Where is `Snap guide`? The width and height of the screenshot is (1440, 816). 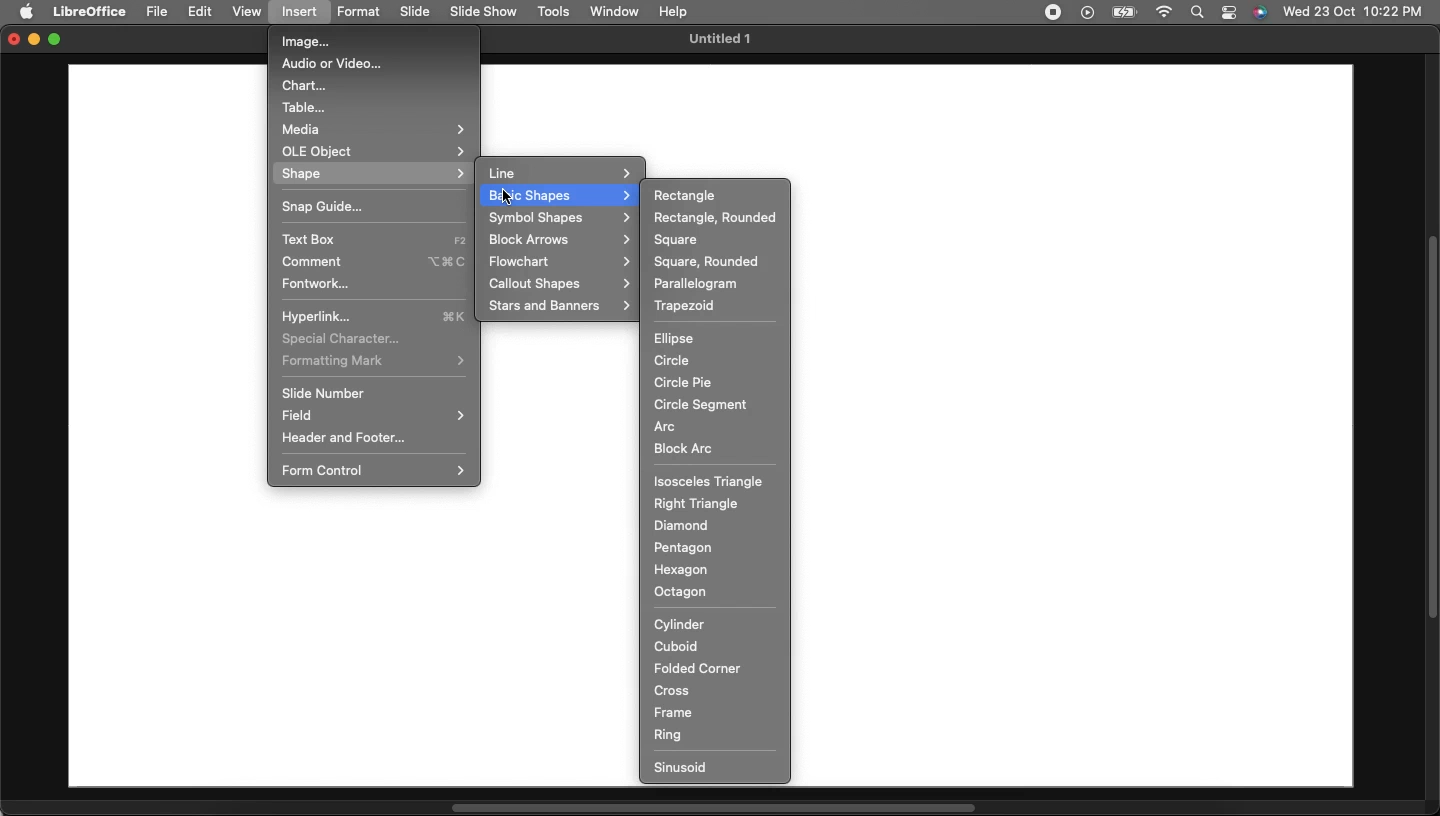 Snap guide is located at coordinates (321, 205).